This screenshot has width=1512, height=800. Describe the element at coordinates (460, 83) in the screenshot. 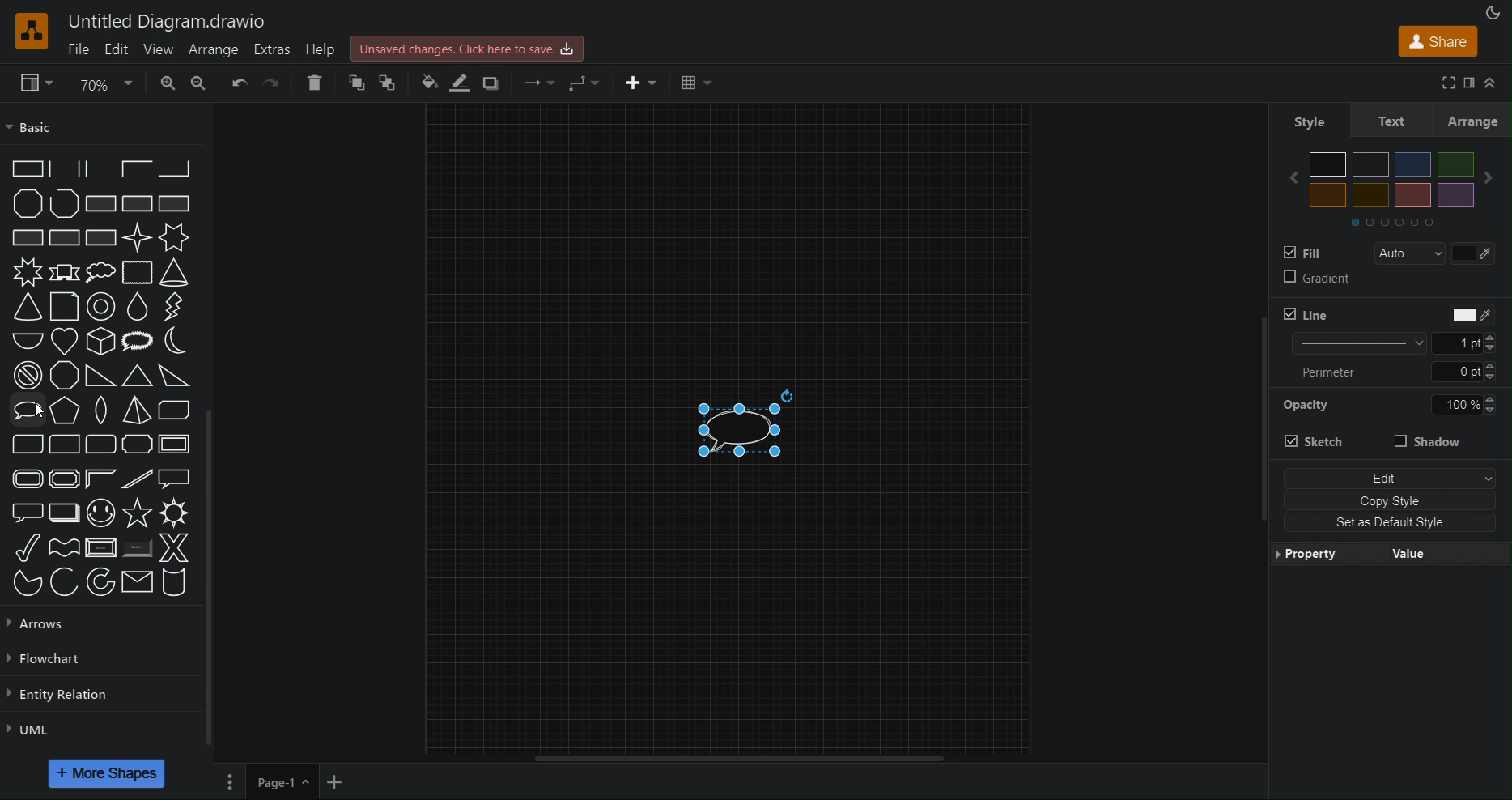

I see `Line Color` at that location.